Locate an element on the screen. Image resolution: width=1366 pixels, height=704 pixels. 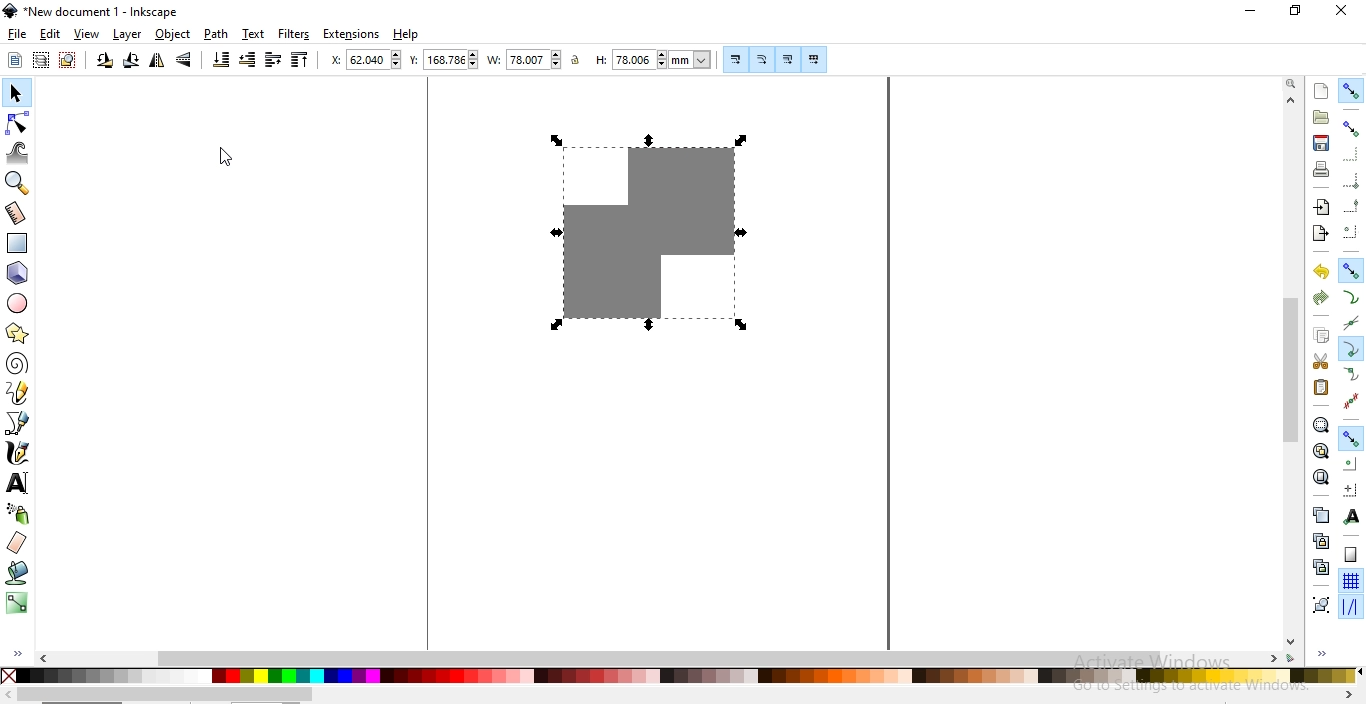
snap midpoints of line segments is located at coordinates (1350, 401).